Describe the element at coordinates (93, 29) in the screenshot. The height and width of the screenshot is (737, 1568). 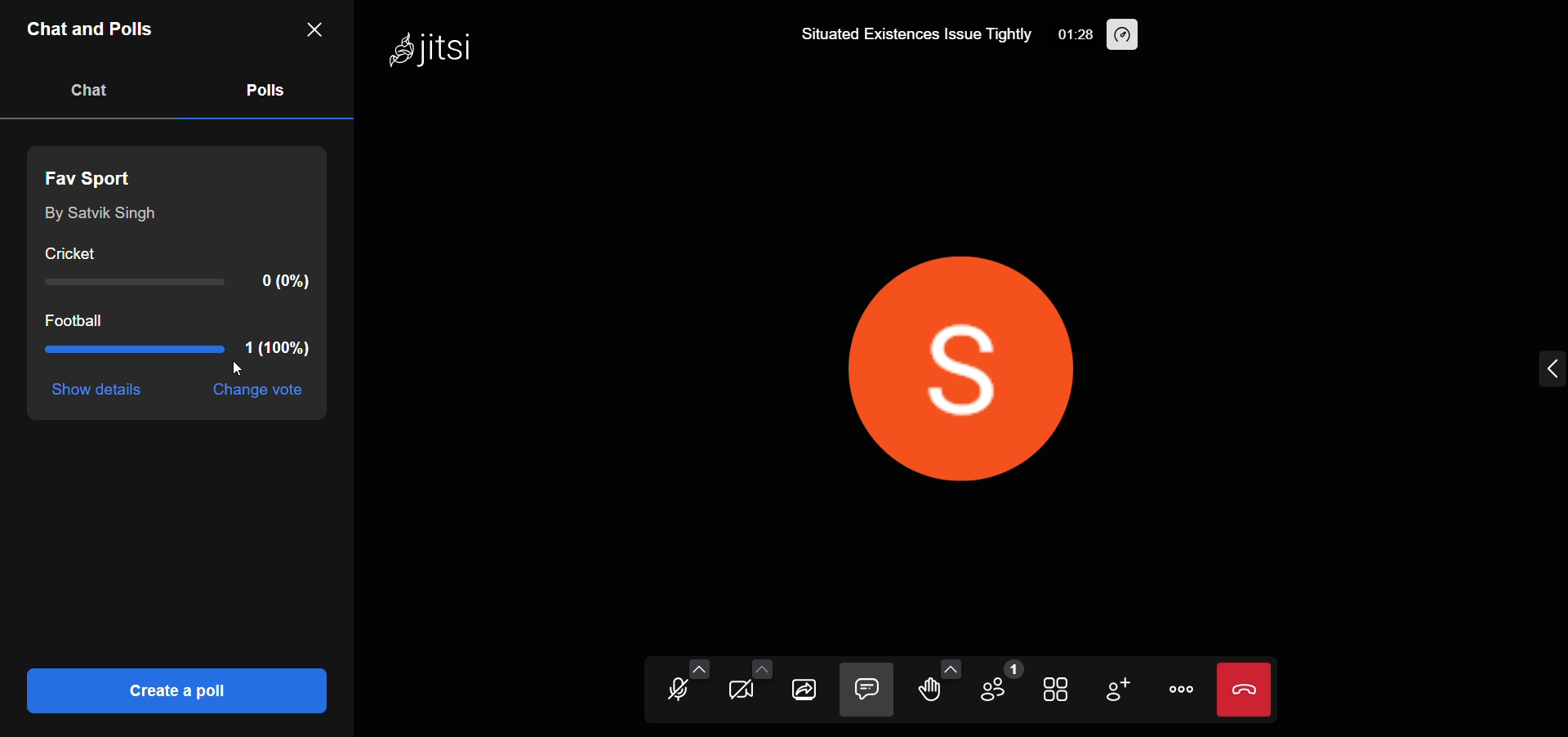
I see `chats and polls` at that location.